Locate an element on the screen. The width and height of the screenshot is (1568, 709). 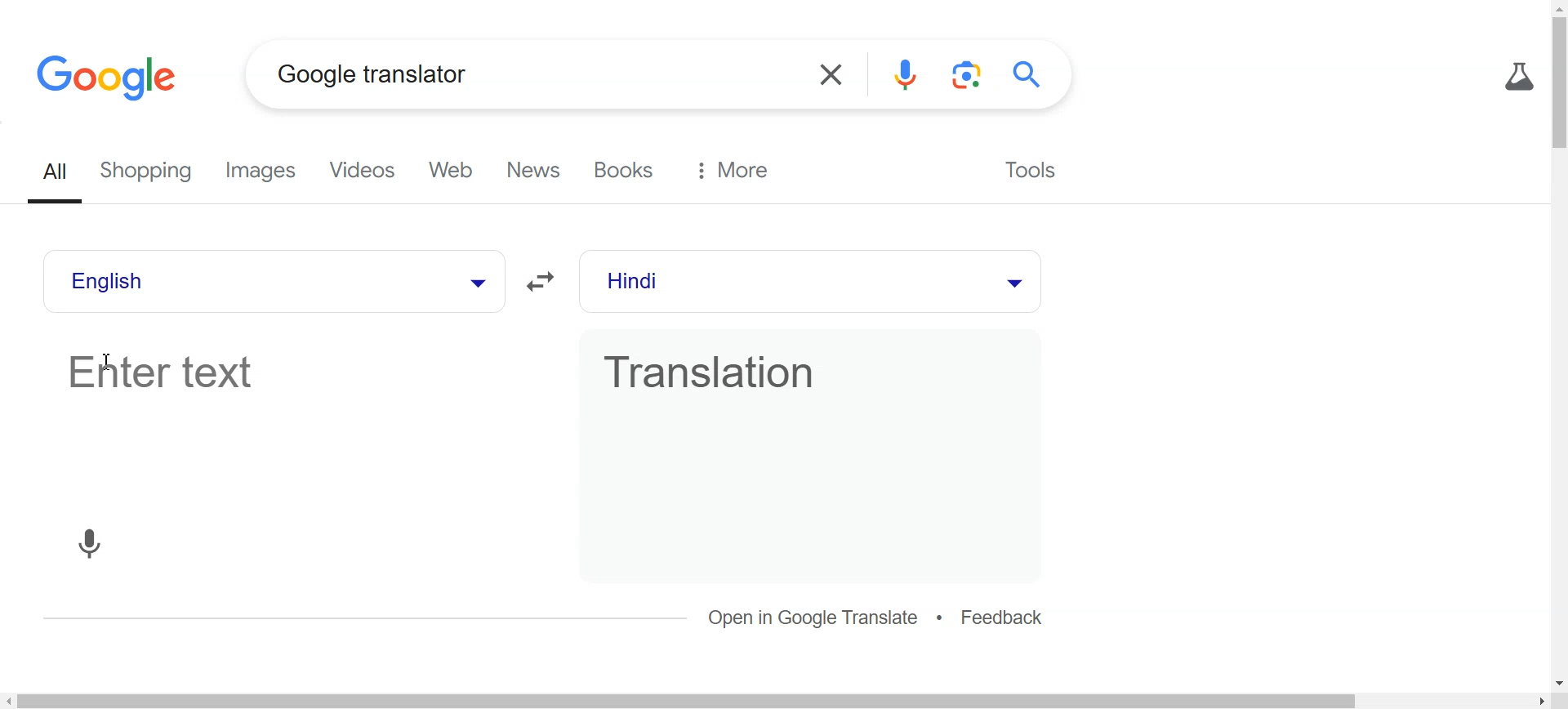
Open in google Translate is located at coordinates (815, 618).